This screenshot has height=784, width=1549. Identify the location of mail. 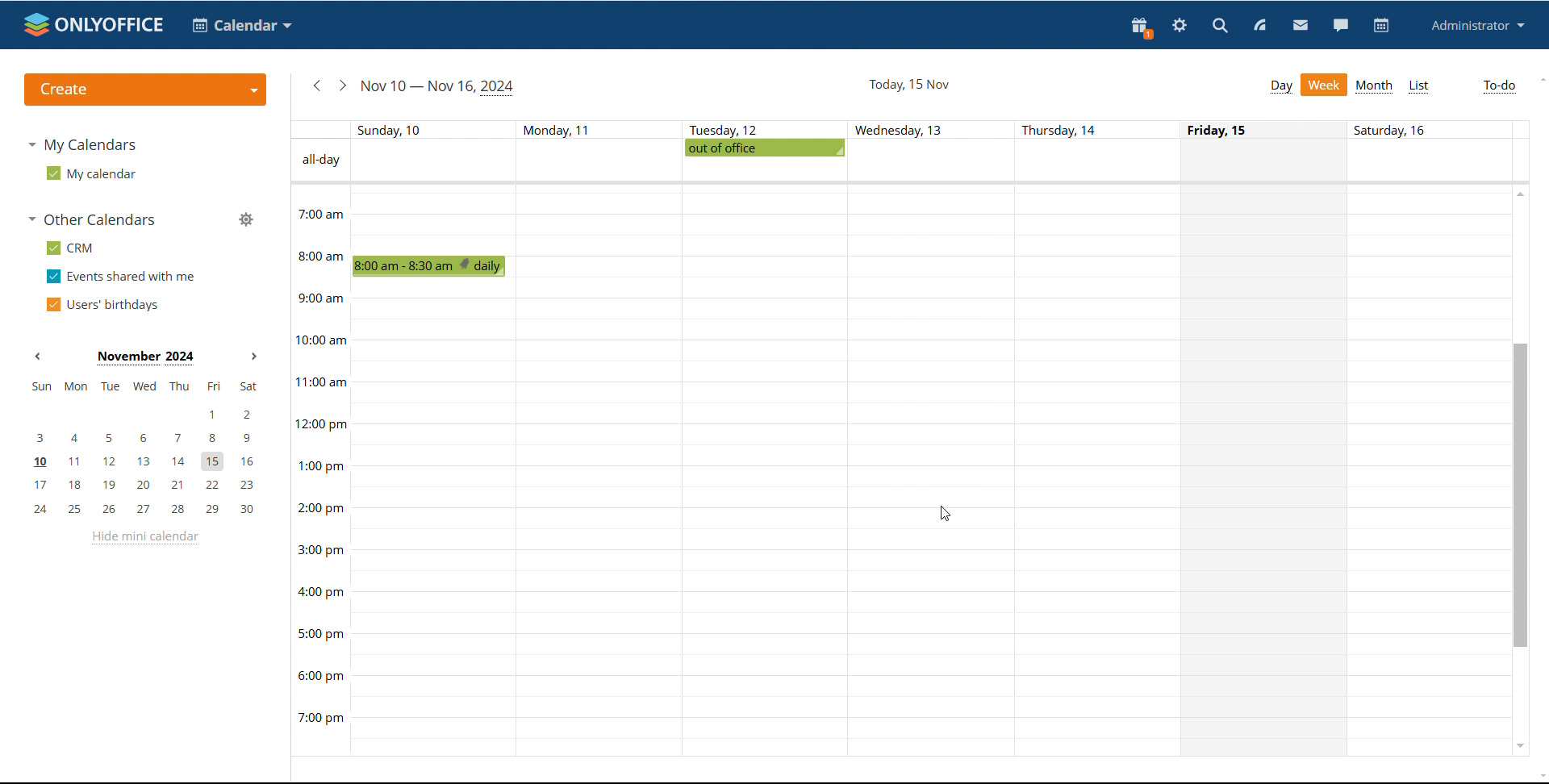
(1301, 25).